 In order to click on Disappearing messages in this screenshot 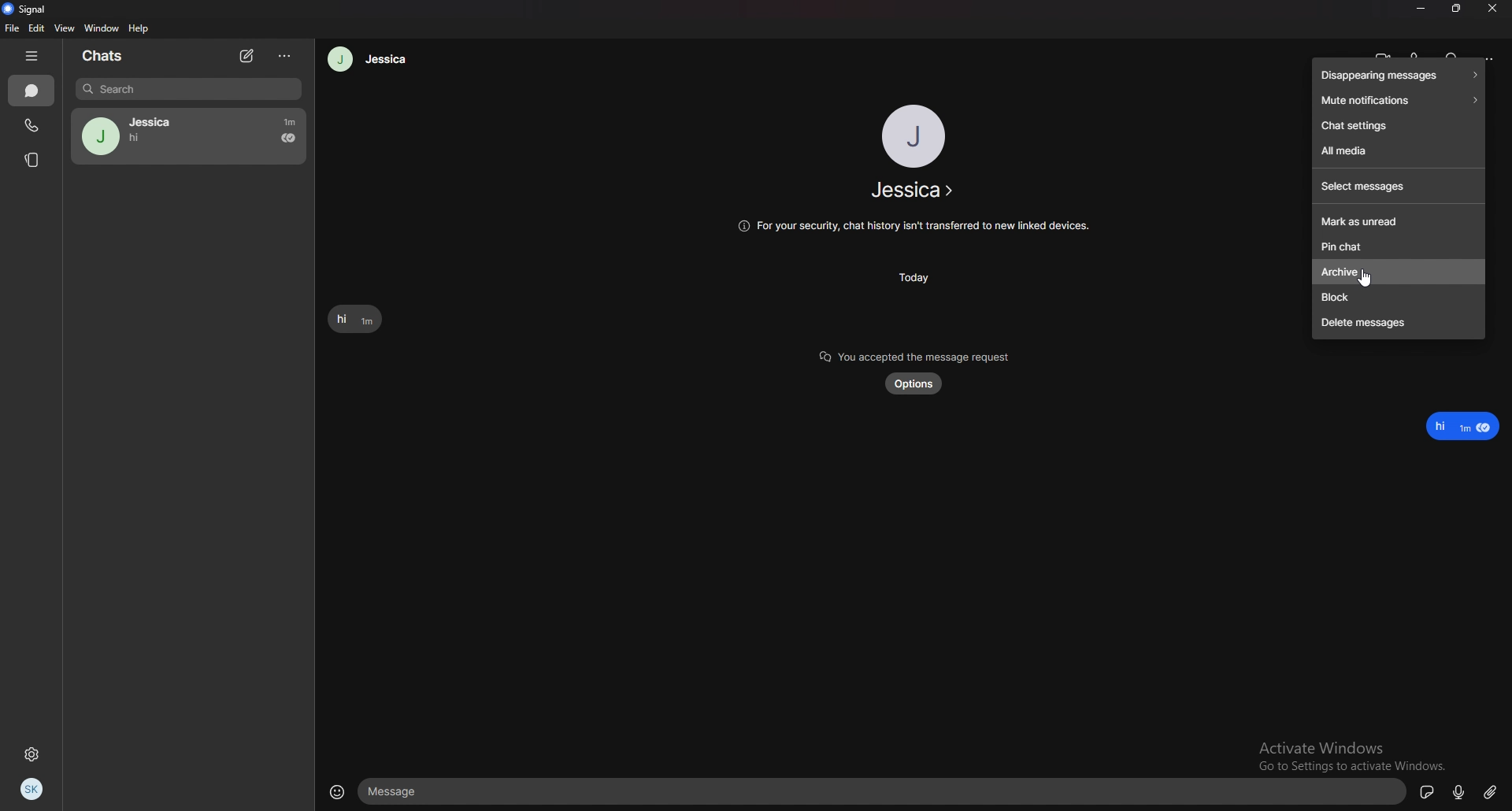, I will do `click(1398, 76)`.